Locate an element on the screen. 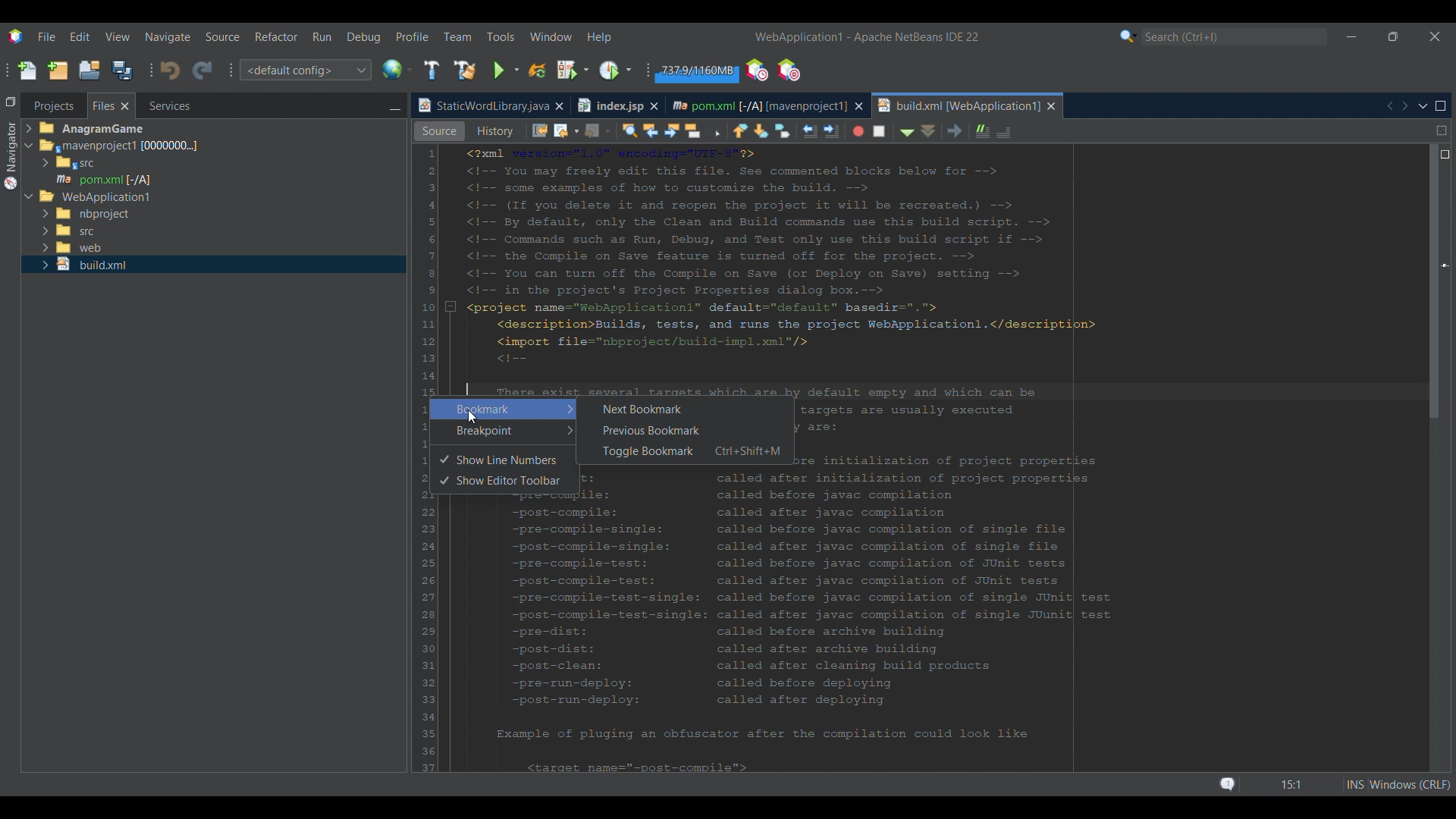  New file is located at coordinates (27, 71).